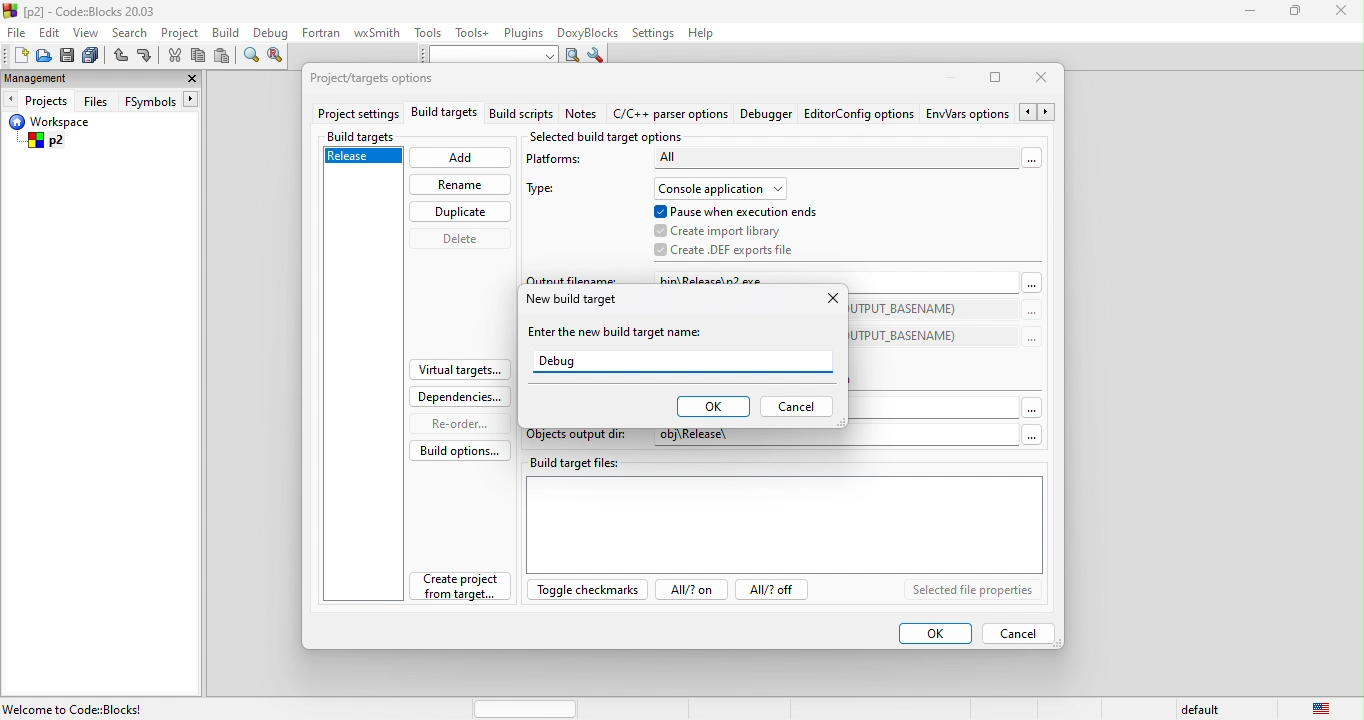 The image size is (1364, 720). I want to click on find , so click(249, 57).